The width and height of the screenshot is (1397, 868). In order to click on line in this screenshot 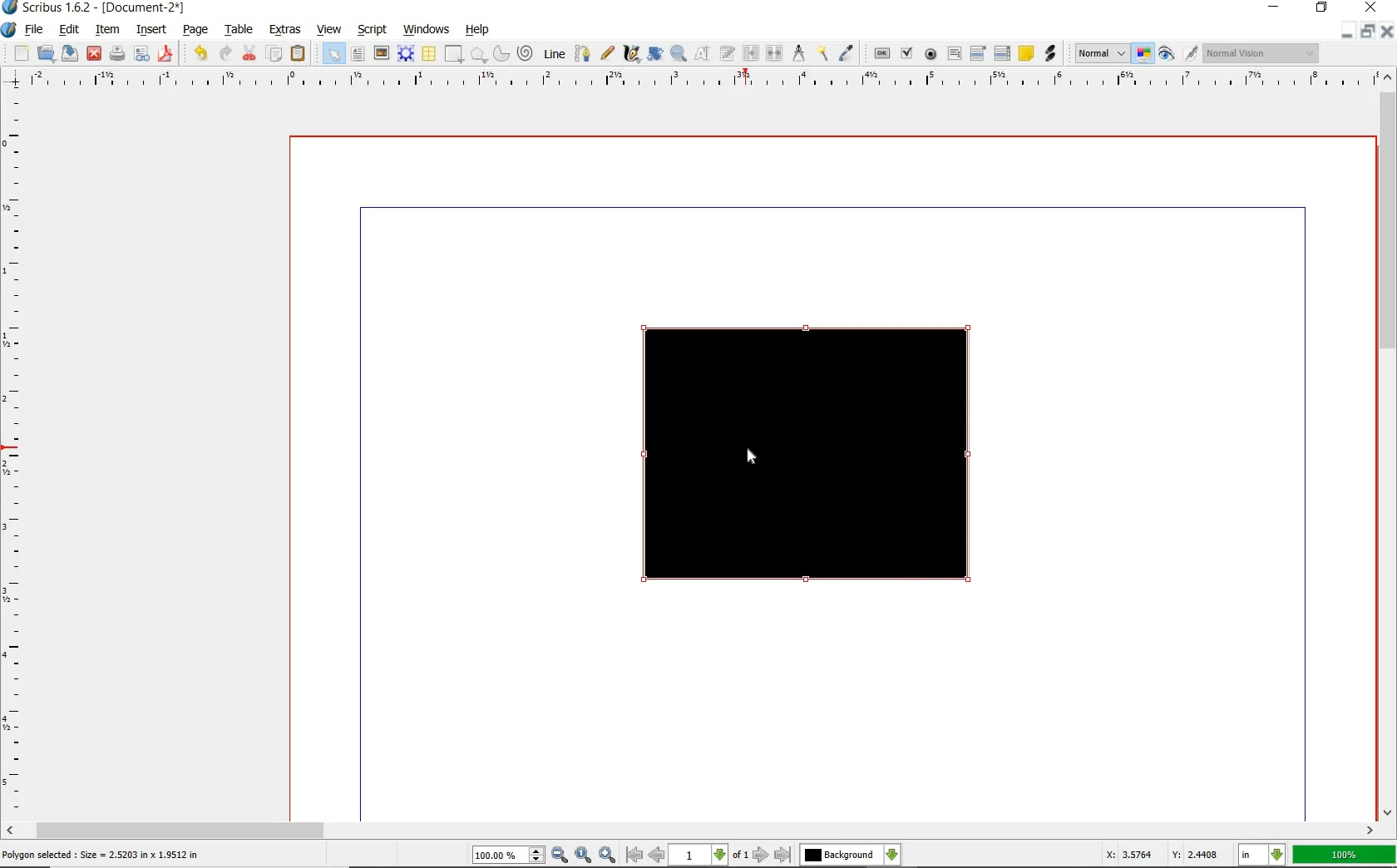, I will do `click(555, 53)`.